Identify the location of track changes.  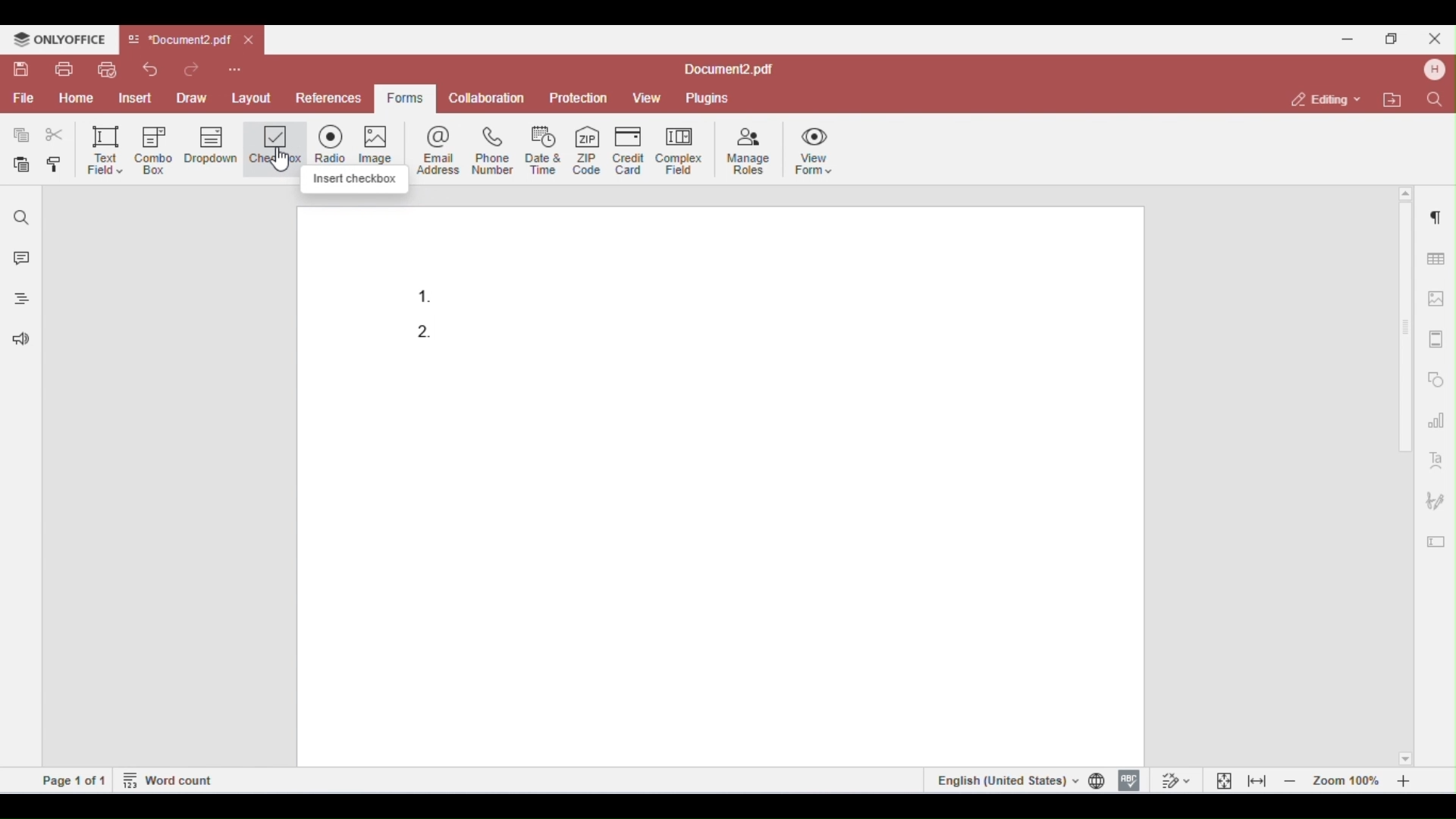
(1174, 780).